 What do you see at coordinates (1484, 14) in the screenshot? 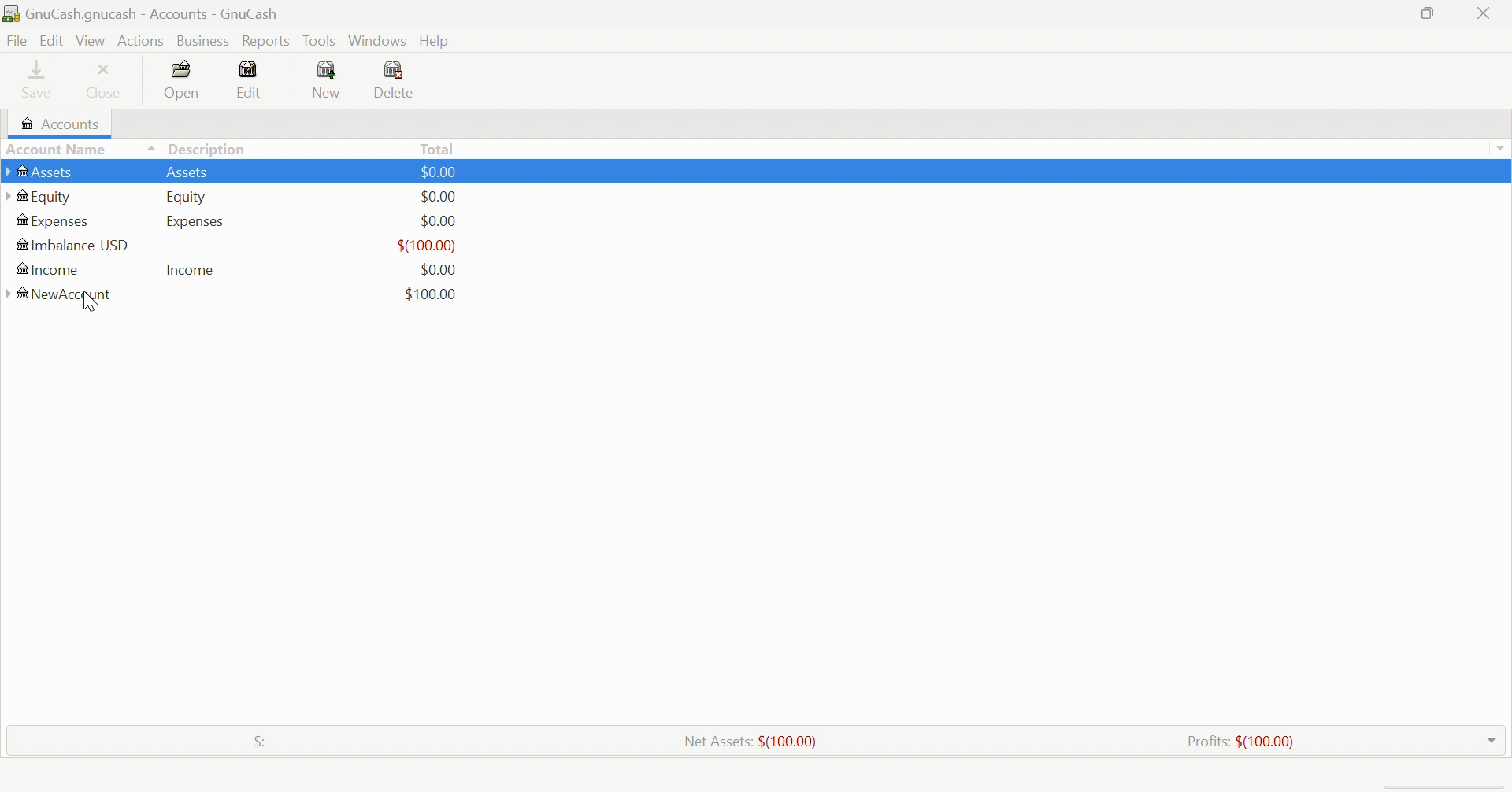
I see `Close` at bounding box center [1484, 14].